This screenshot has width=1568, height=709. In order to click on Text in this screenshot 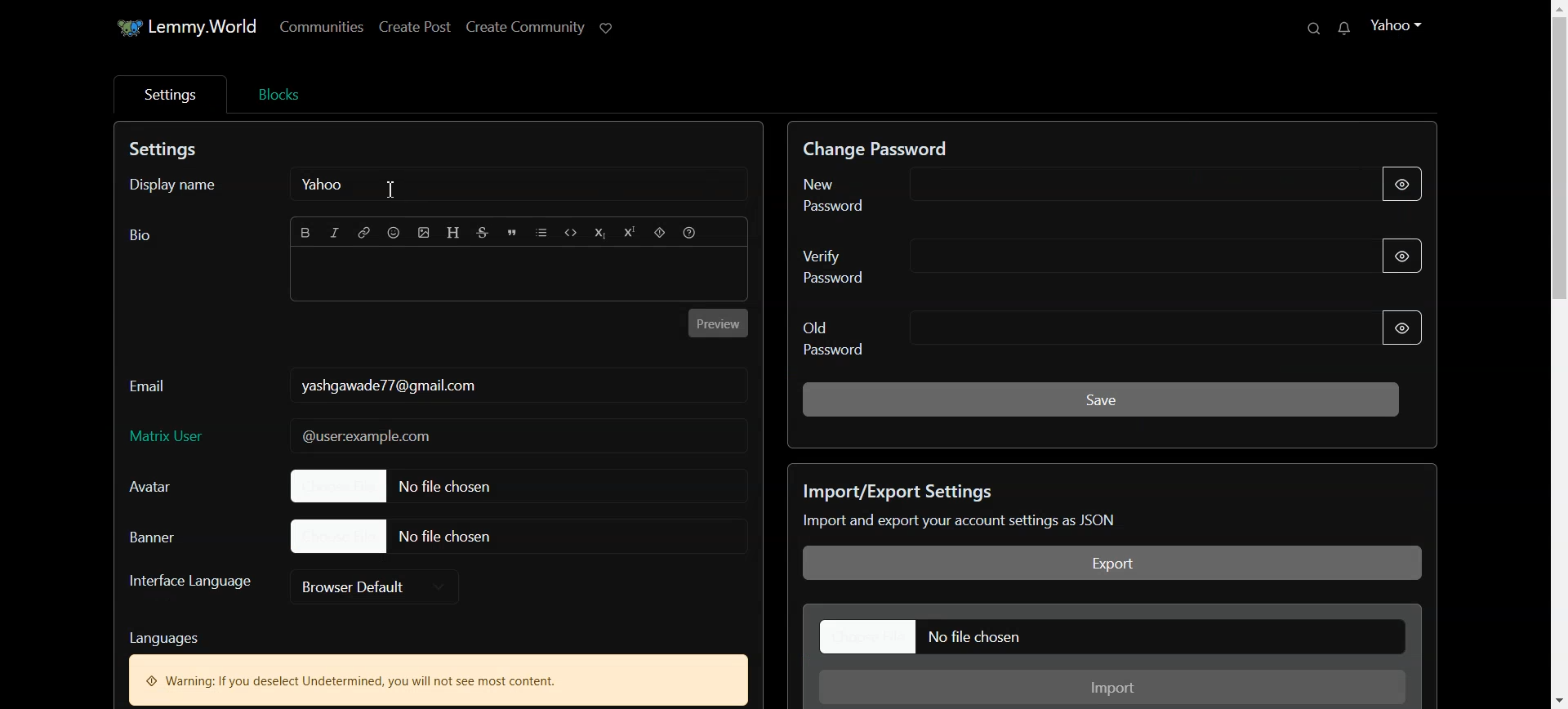, I will do `click(167, 151)`.